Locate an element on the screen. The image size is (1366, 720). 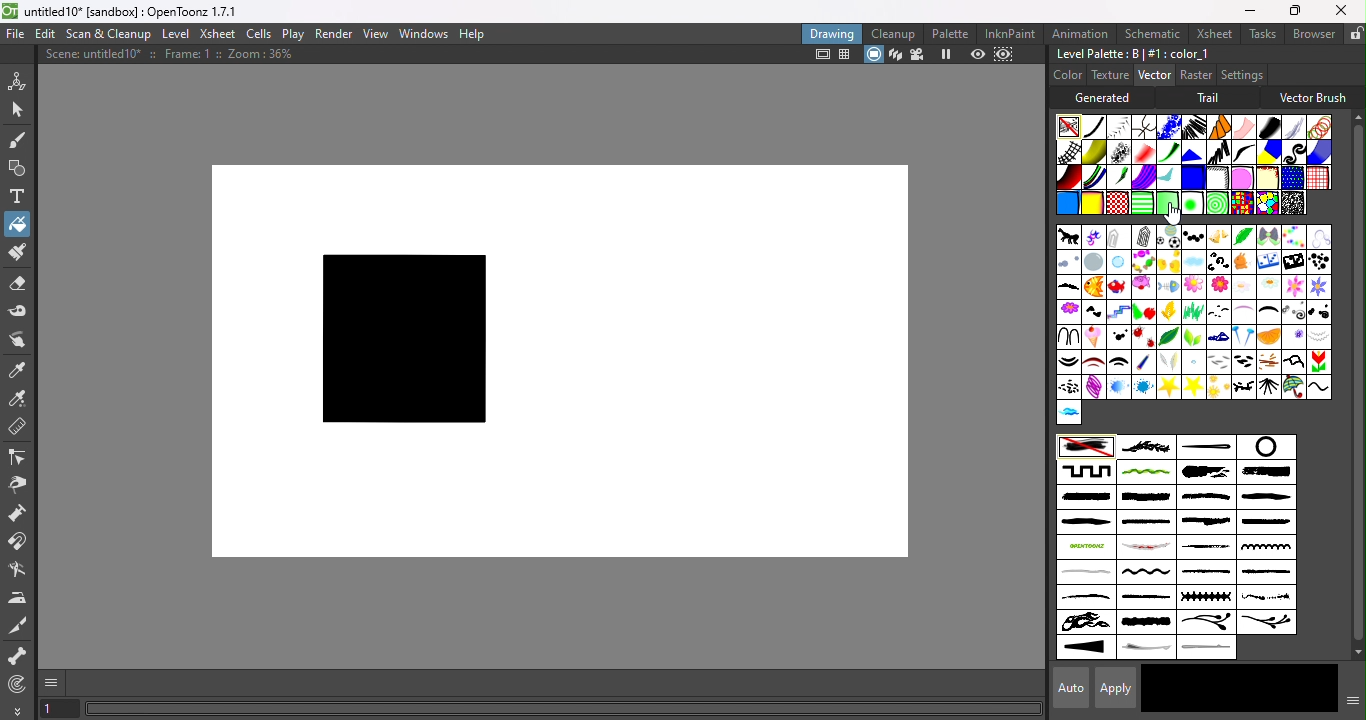
ant is located at coordinates (1068, 238).